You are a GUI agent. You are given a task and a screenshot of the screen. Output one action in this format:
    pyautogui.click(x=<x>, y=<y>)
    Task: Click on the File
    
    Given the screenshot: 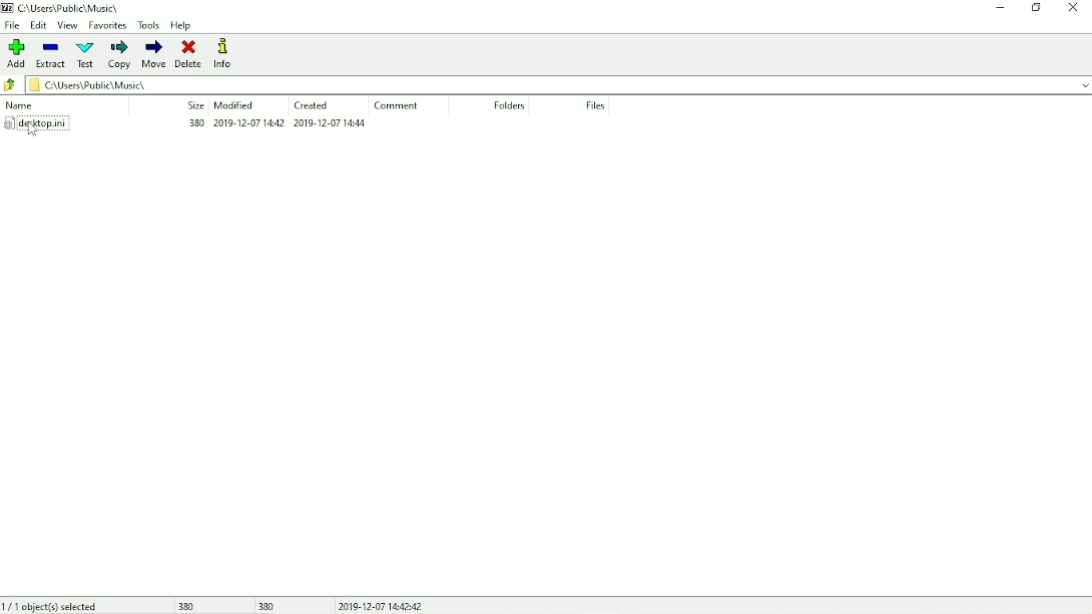 What is the action you would take?
    pyautogui.click(x=596, y=106)
    